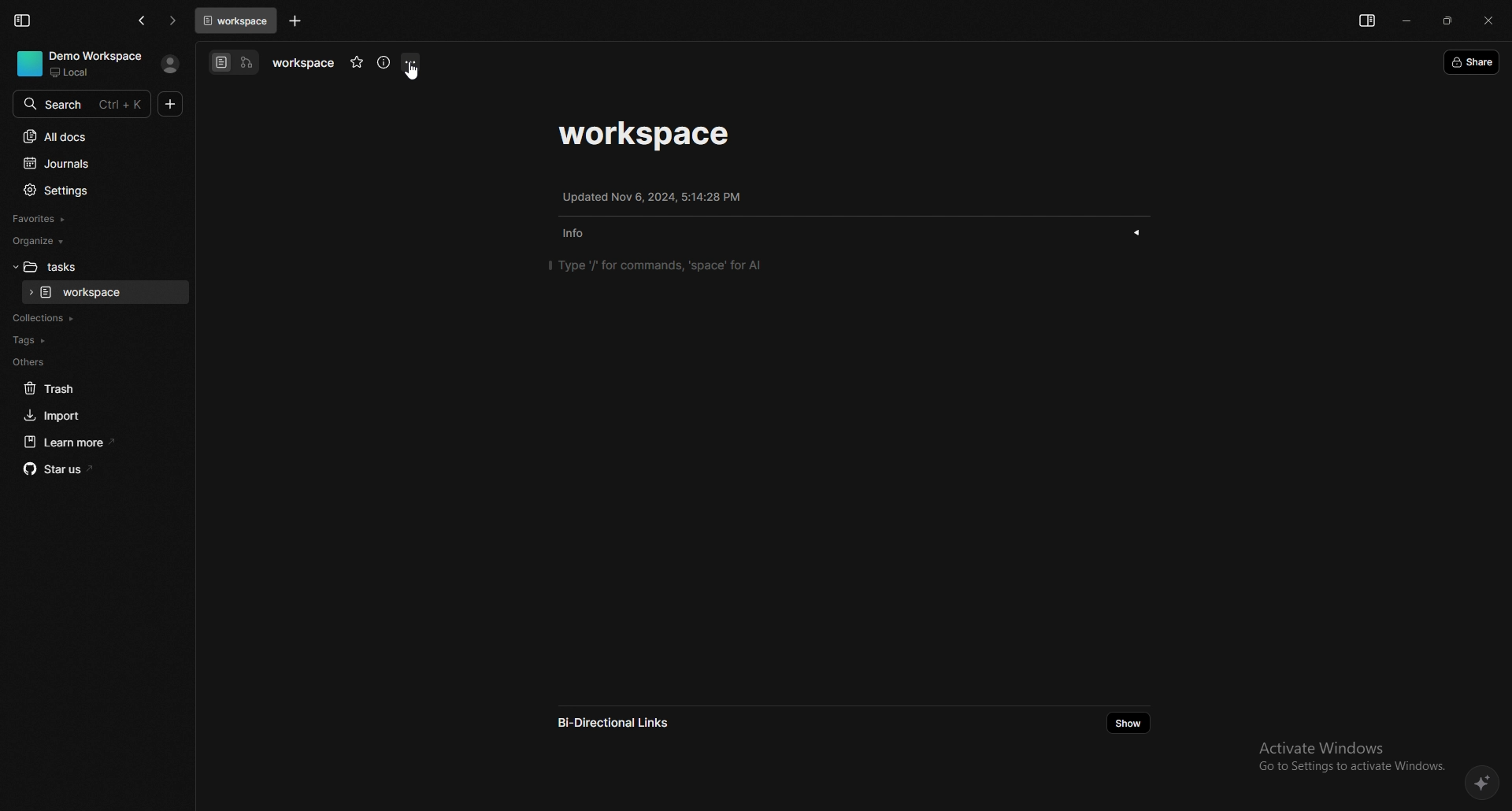 The height and width of the screenshot is (811, 1512). What do you see at coordinates (1366, 21) in the screenshot?
I see `show sidebar` at bounding box center [1366, 21].